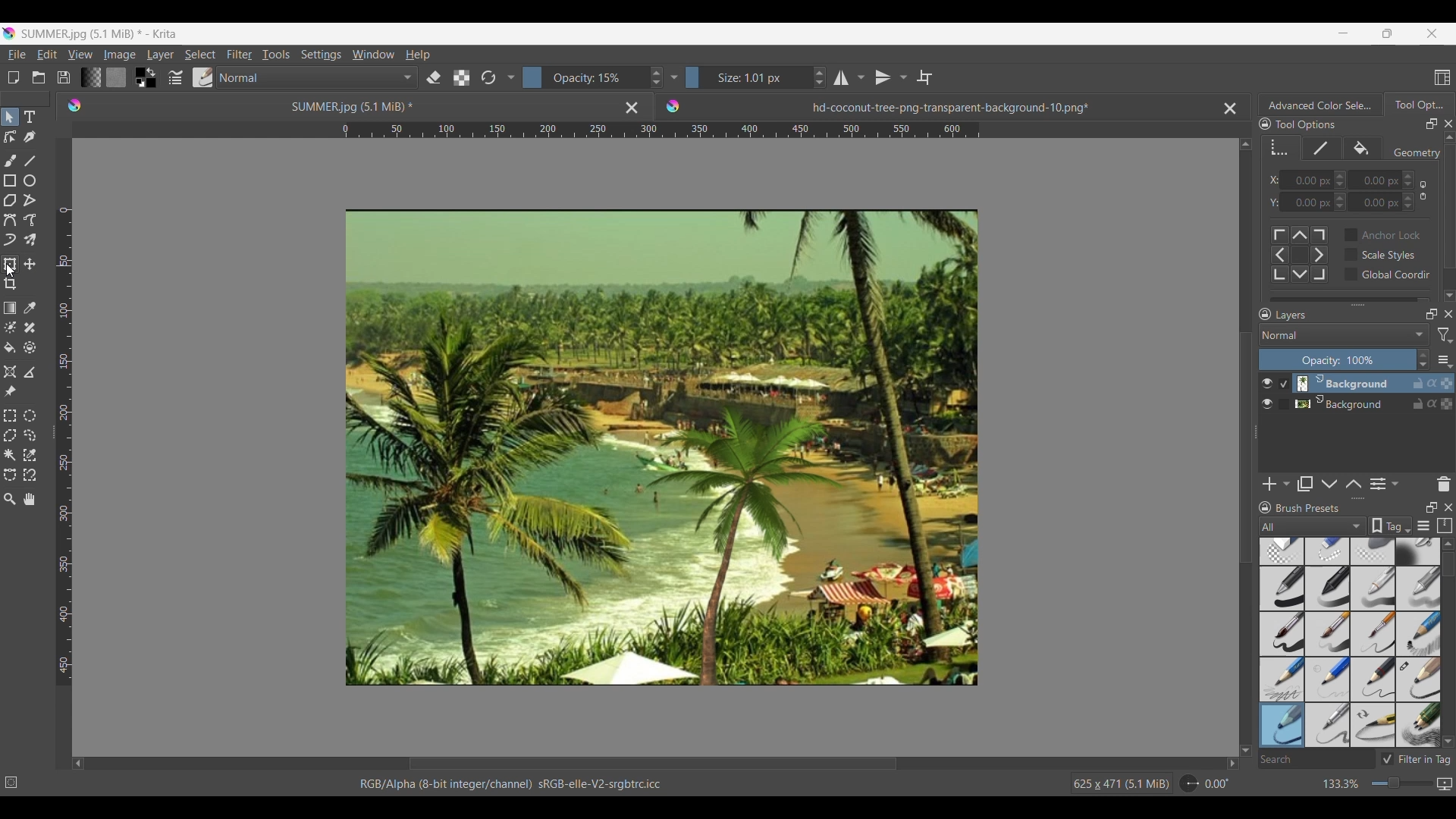  What do you see at coordinates (510, 77) in the screenshot?
I see `Consolidated toolbar` at bounding box center [510, 77].